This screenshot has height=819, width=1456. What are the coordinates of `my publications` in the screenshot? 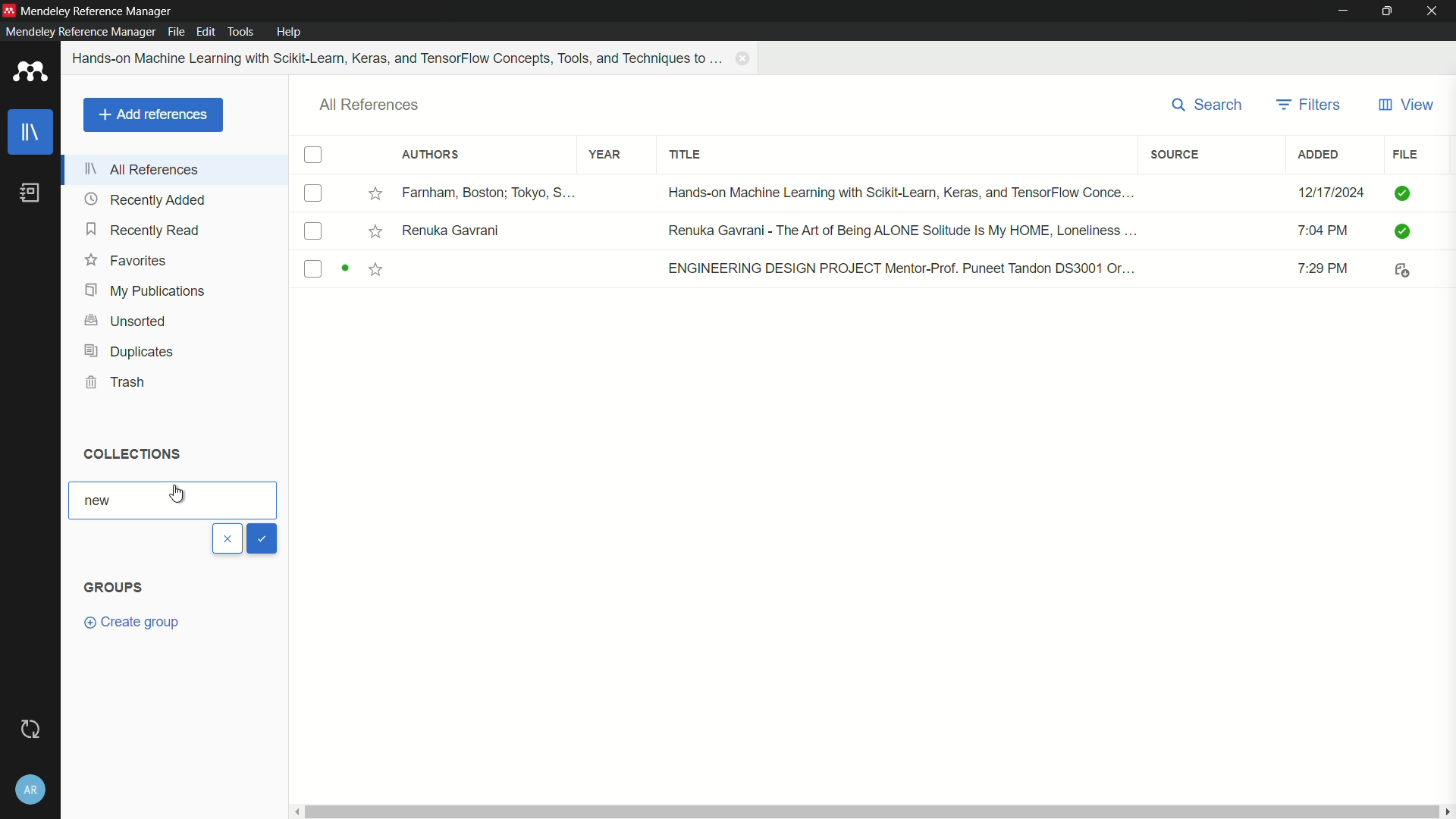 It's located at (143, 291).